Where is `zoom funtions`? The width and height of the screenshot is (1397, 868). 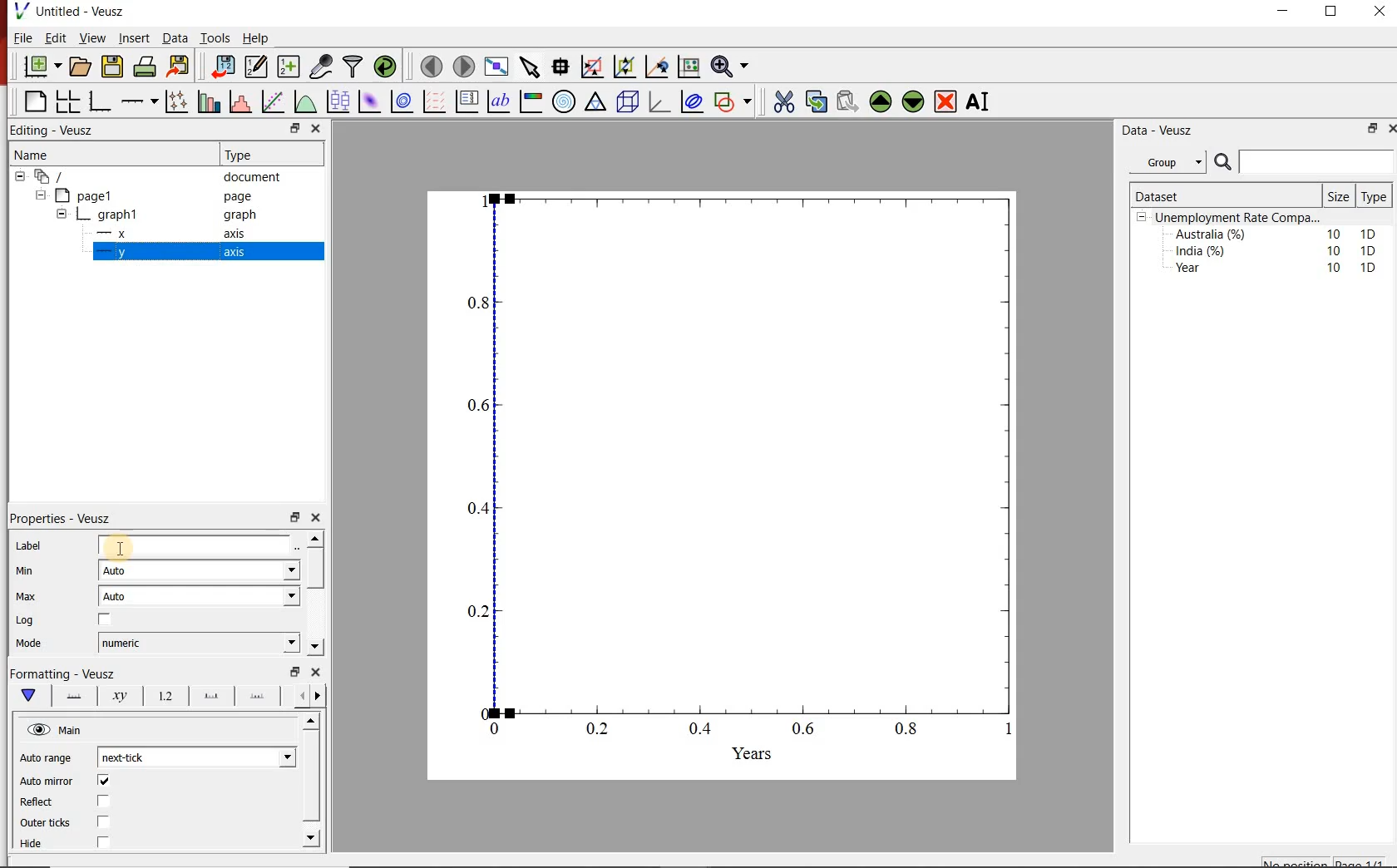 zoom funtions is located at coordinates (733, 65).